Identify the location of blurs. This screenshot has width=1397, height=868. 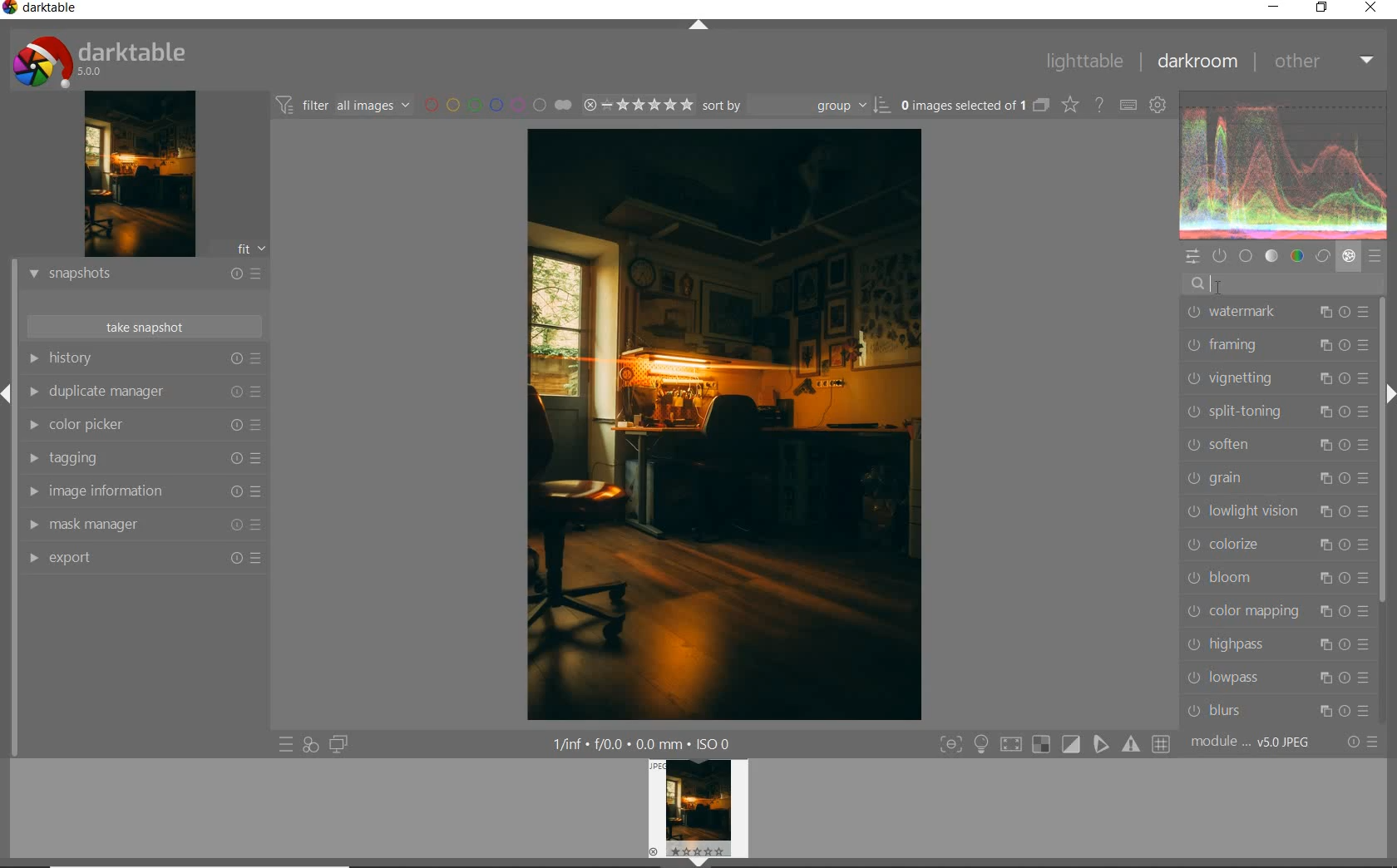
(1279, 711).